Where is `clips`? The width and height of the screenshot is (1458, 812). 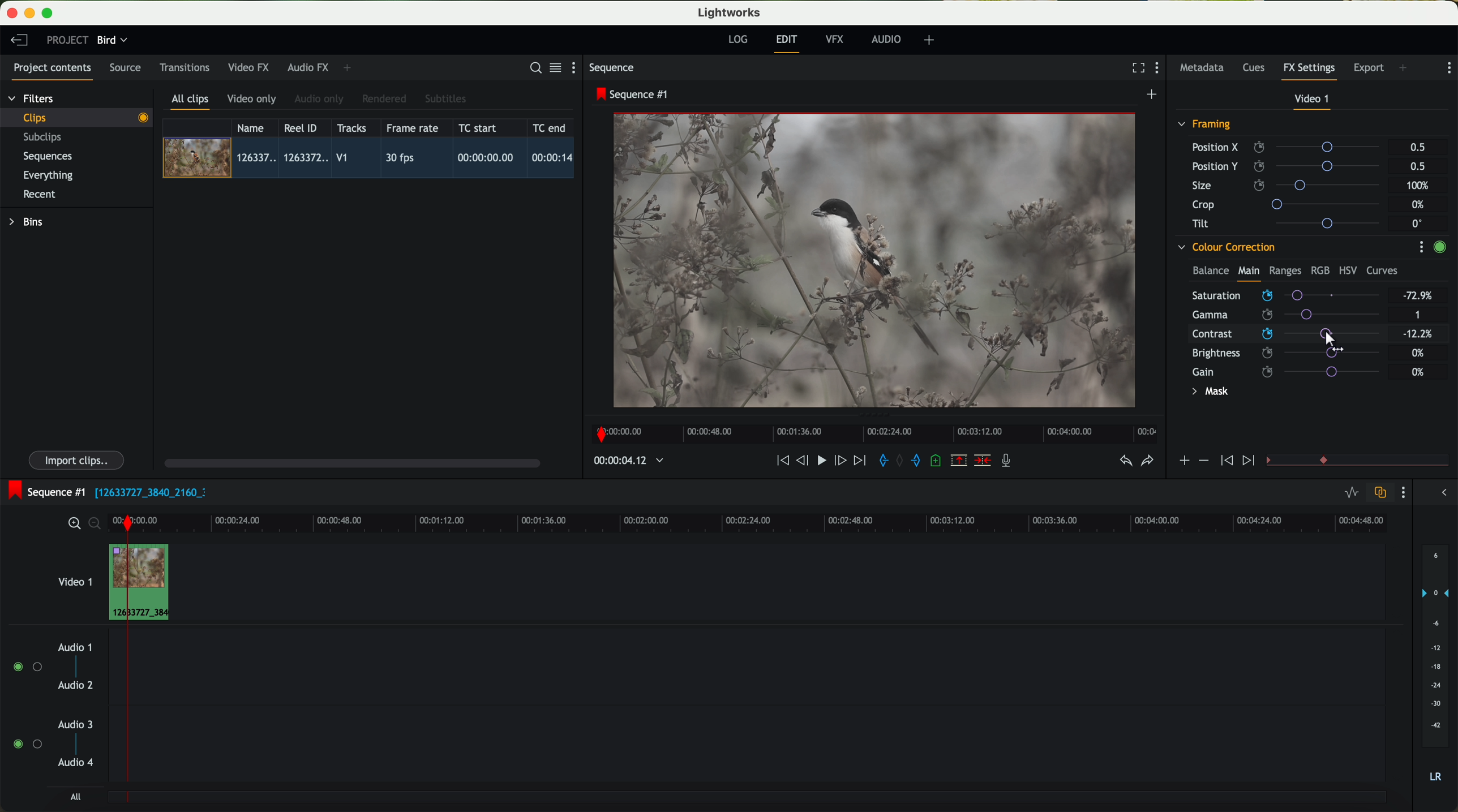 clips is located at coordinates (77, 117).